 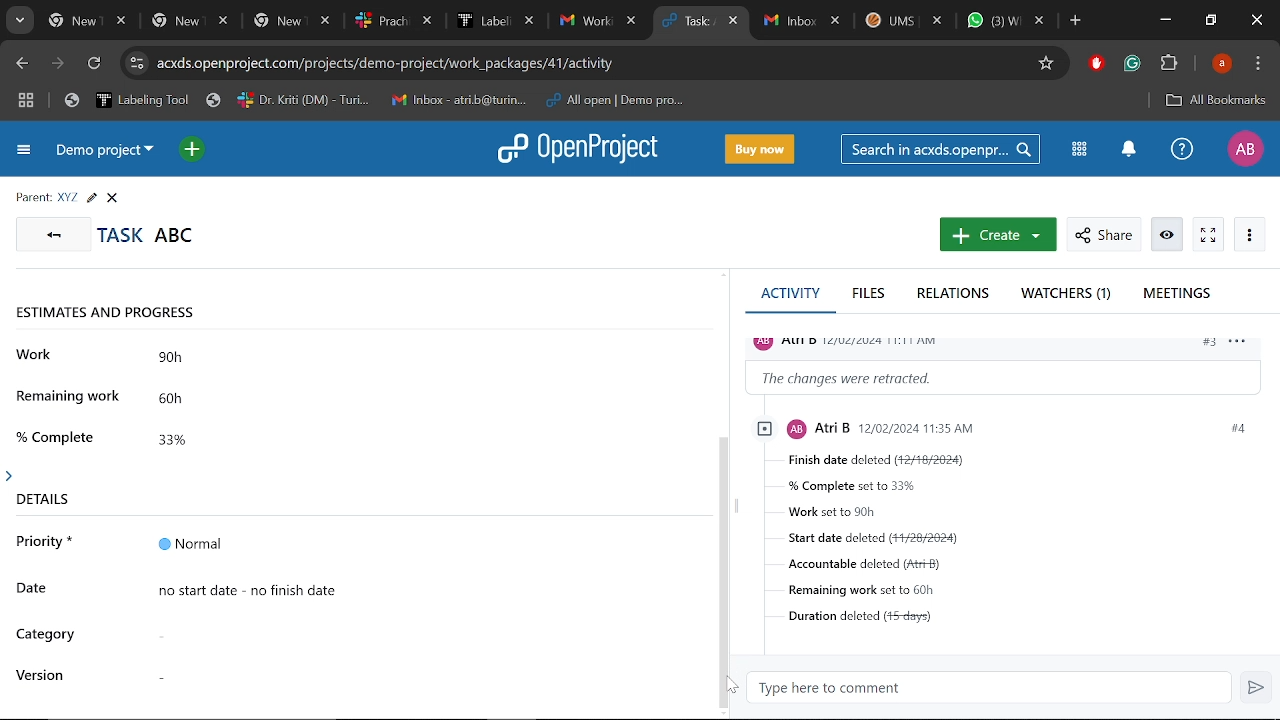 What do you see at coordinates (37, 354) in the screenshot?
I see `work` at bounding box center [37, 354].